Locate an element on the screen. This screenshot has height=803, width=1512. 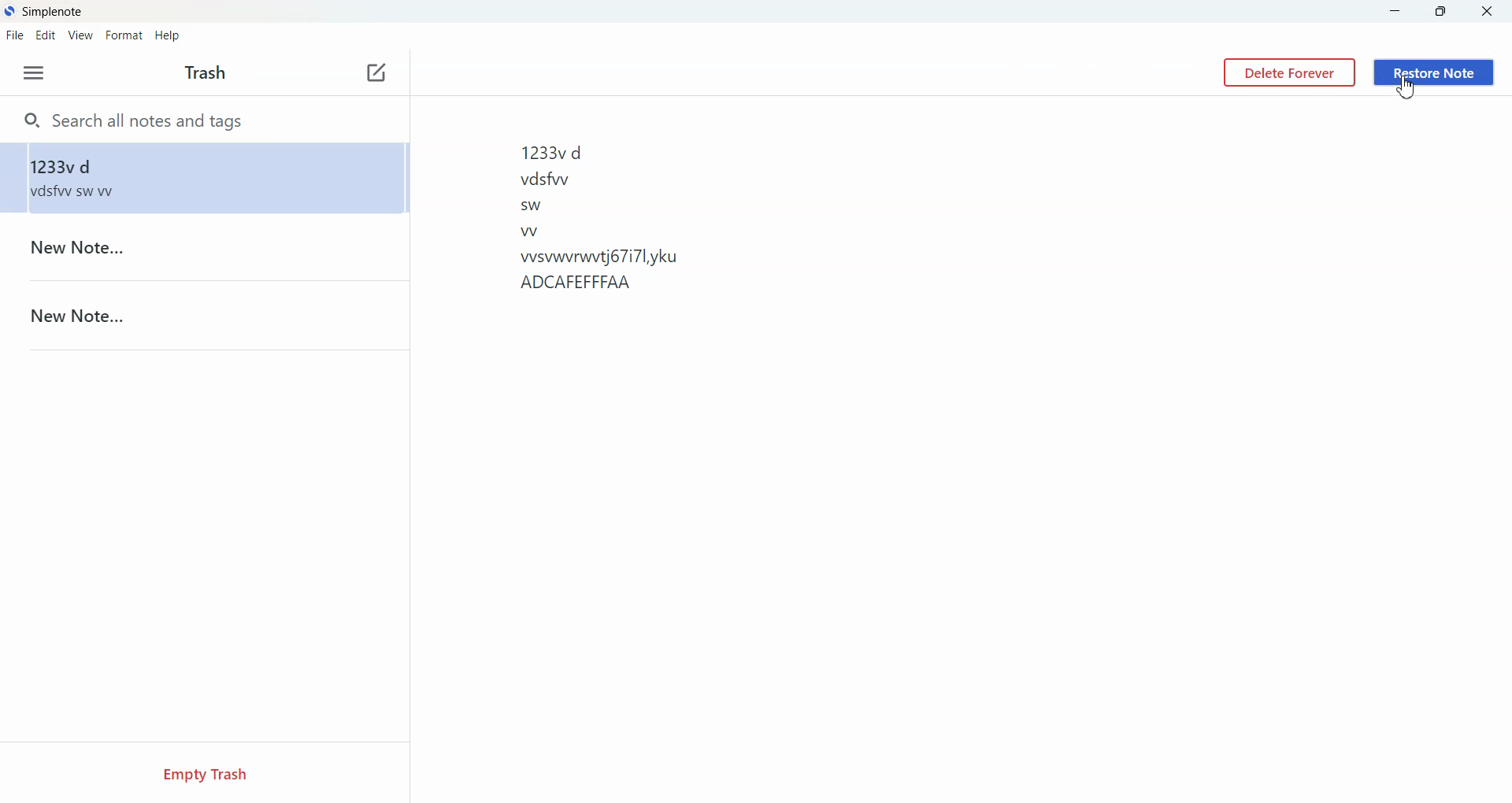
Restore Note is located at coordinates (1433, 73).